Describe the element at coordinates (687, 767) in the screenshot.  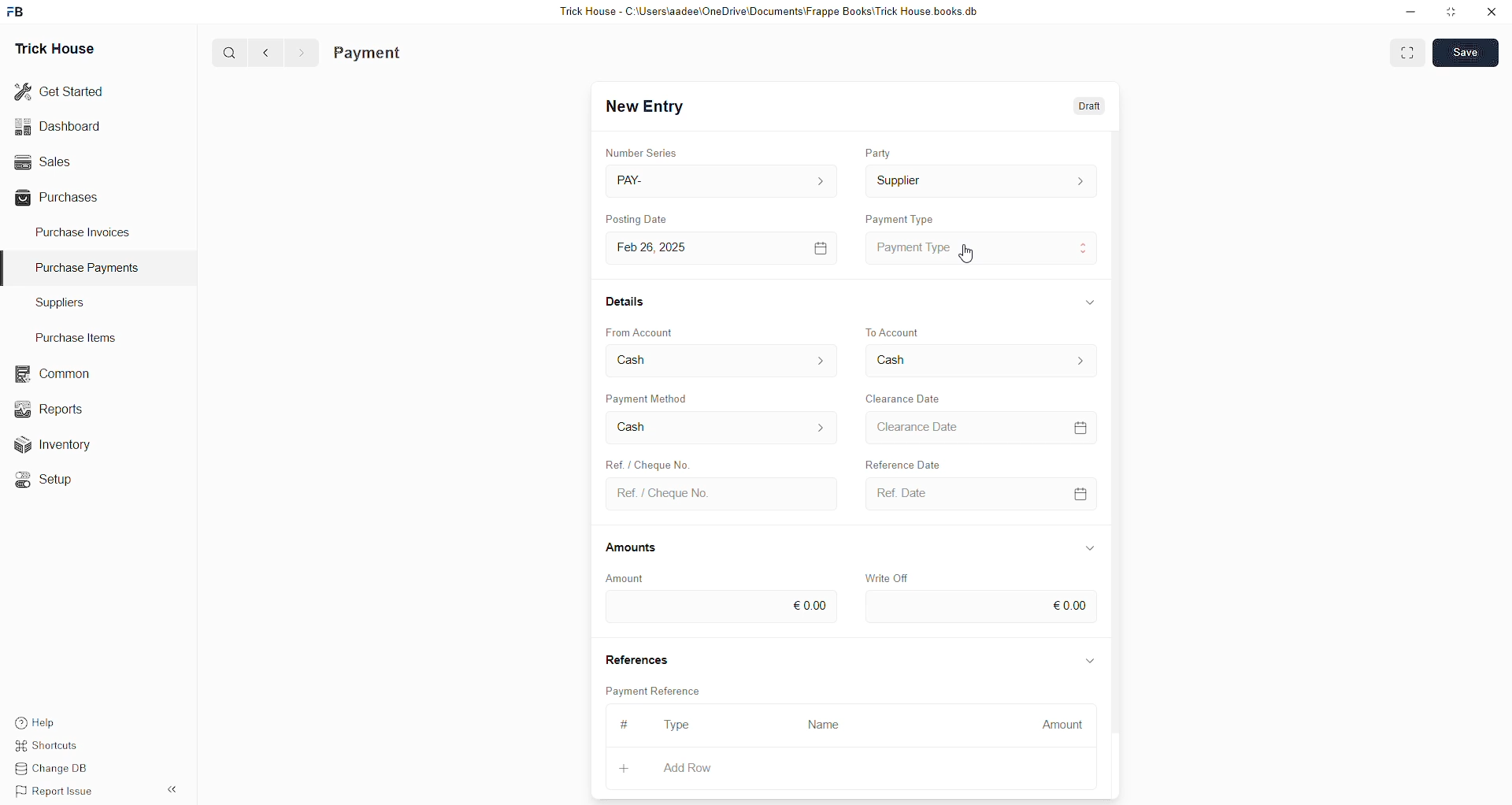
I see `Add Row` at that location.